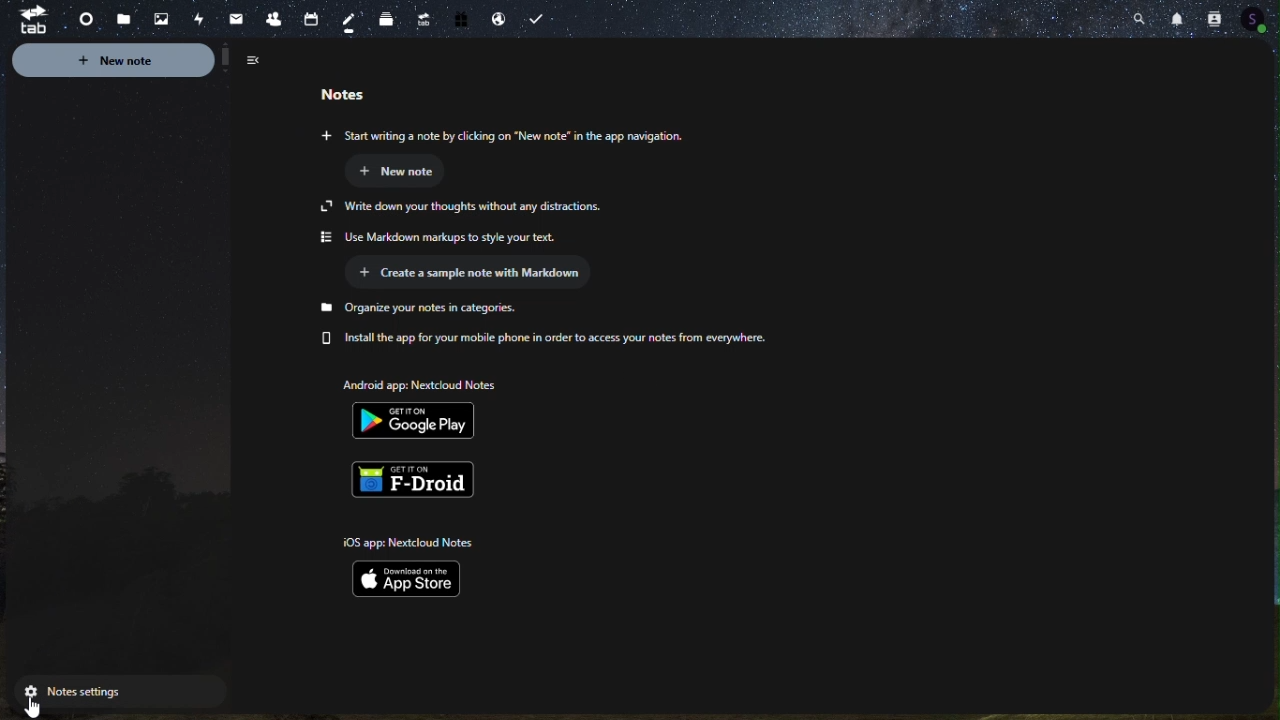 This screenshot has height=720, width=1280. Describe the element at coordinates (502, 135) in the screenshot. I see ` Start writing a note by clicking on “New note” in the app navigation.` at that location.